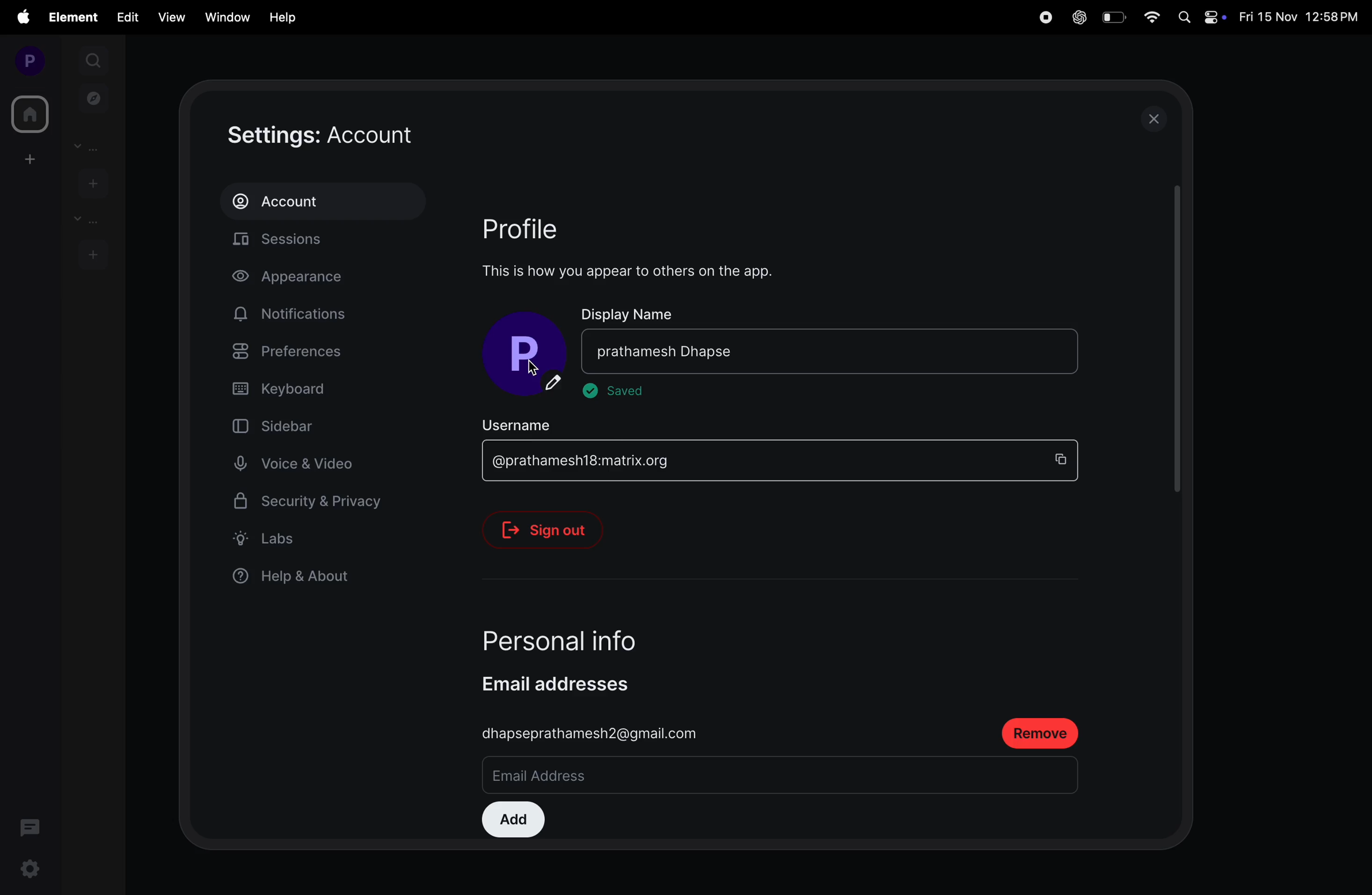 The image size is (1372, 895). Describe the element at coordinates (1023, 349) in the screenshot. I see `apply` at that location.